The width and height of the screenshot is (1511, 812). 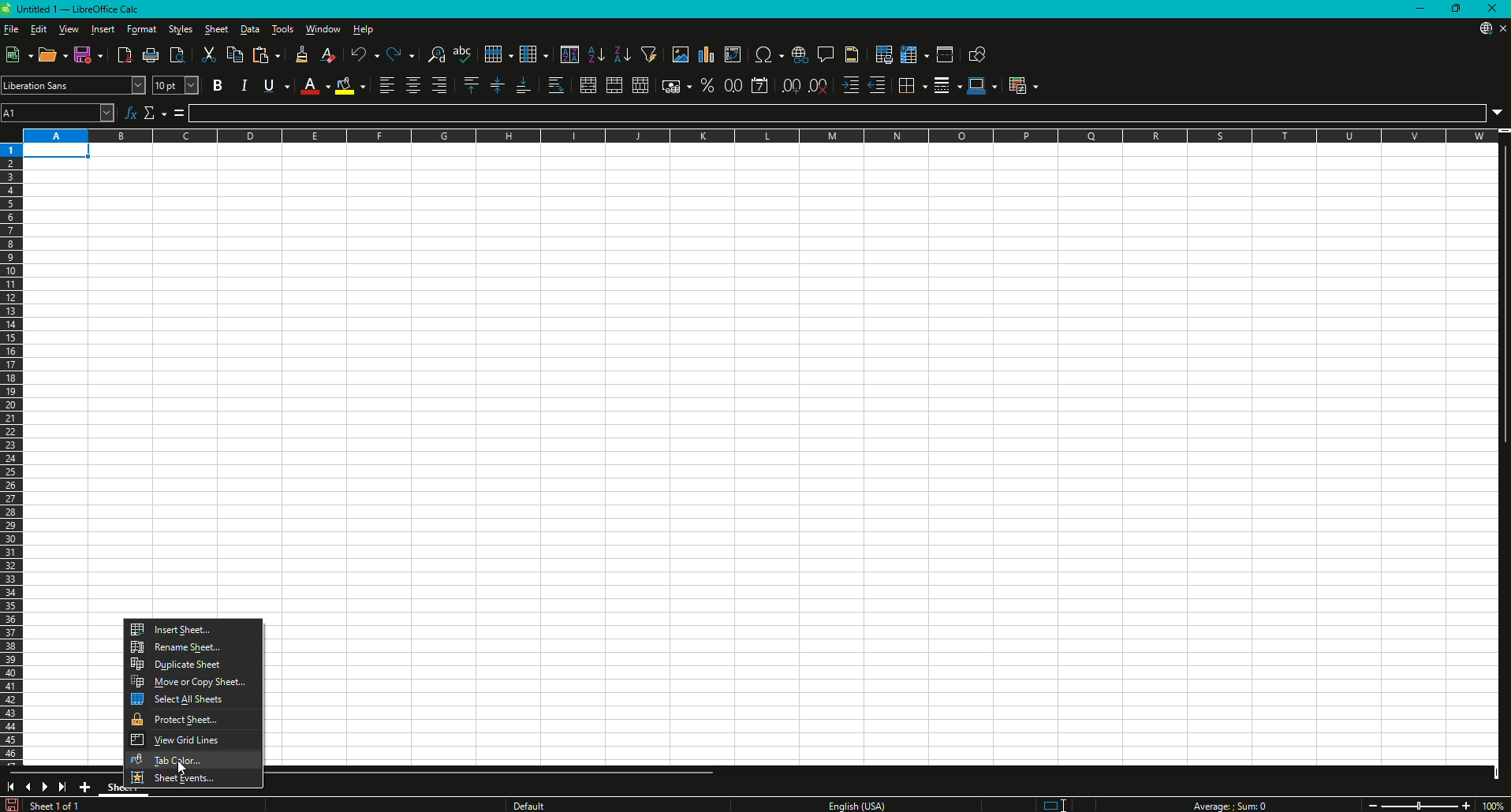 I want to click on Format as Percentage, so click(x=707, y=85).